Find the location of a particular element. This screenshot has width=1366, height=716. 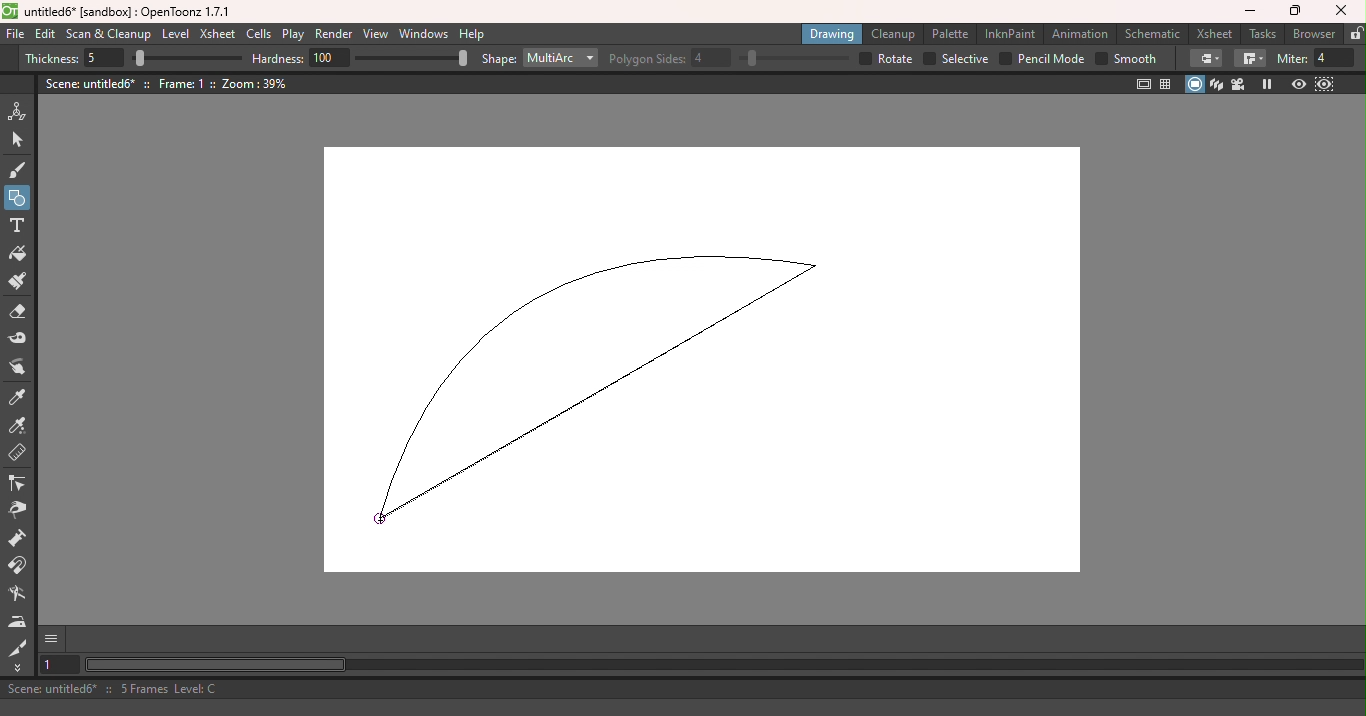

Selective is located at coordinates (957, 58).